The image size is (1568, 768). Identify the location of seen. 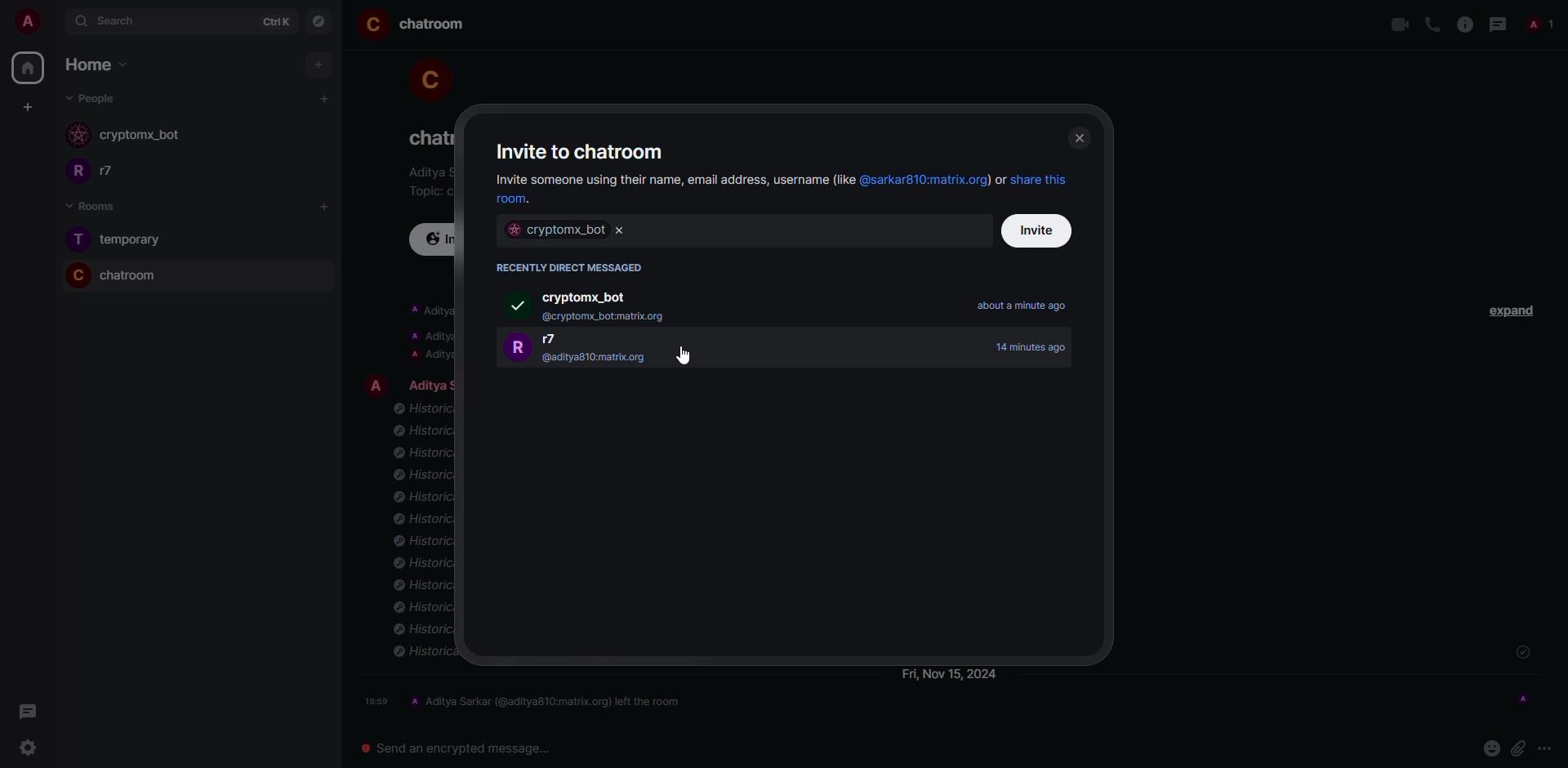
(1523, 697).